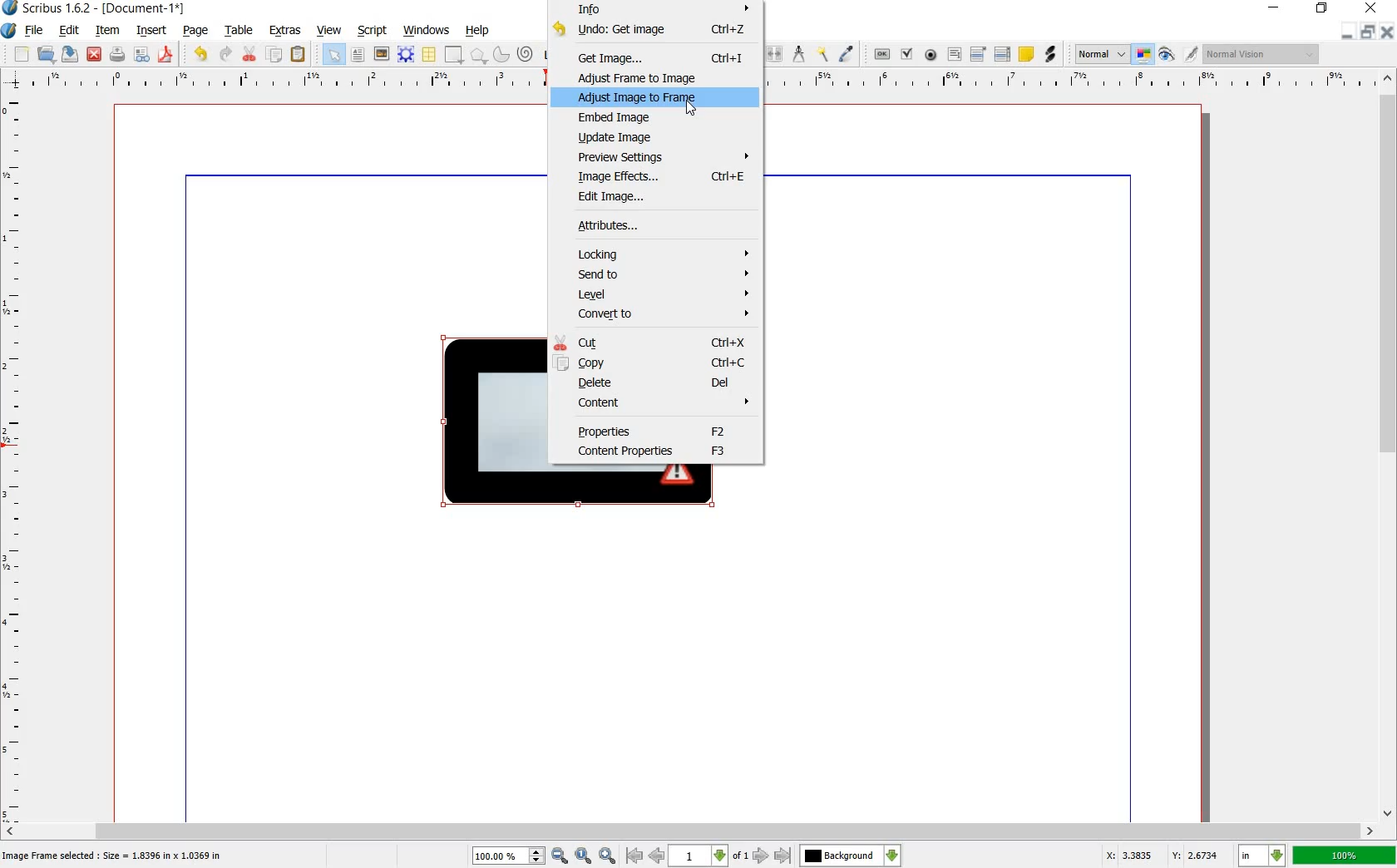 The image size is (1397, 868). Describe the element at coordinates (68, 31) in the screenshot. I see `edit` at that location.